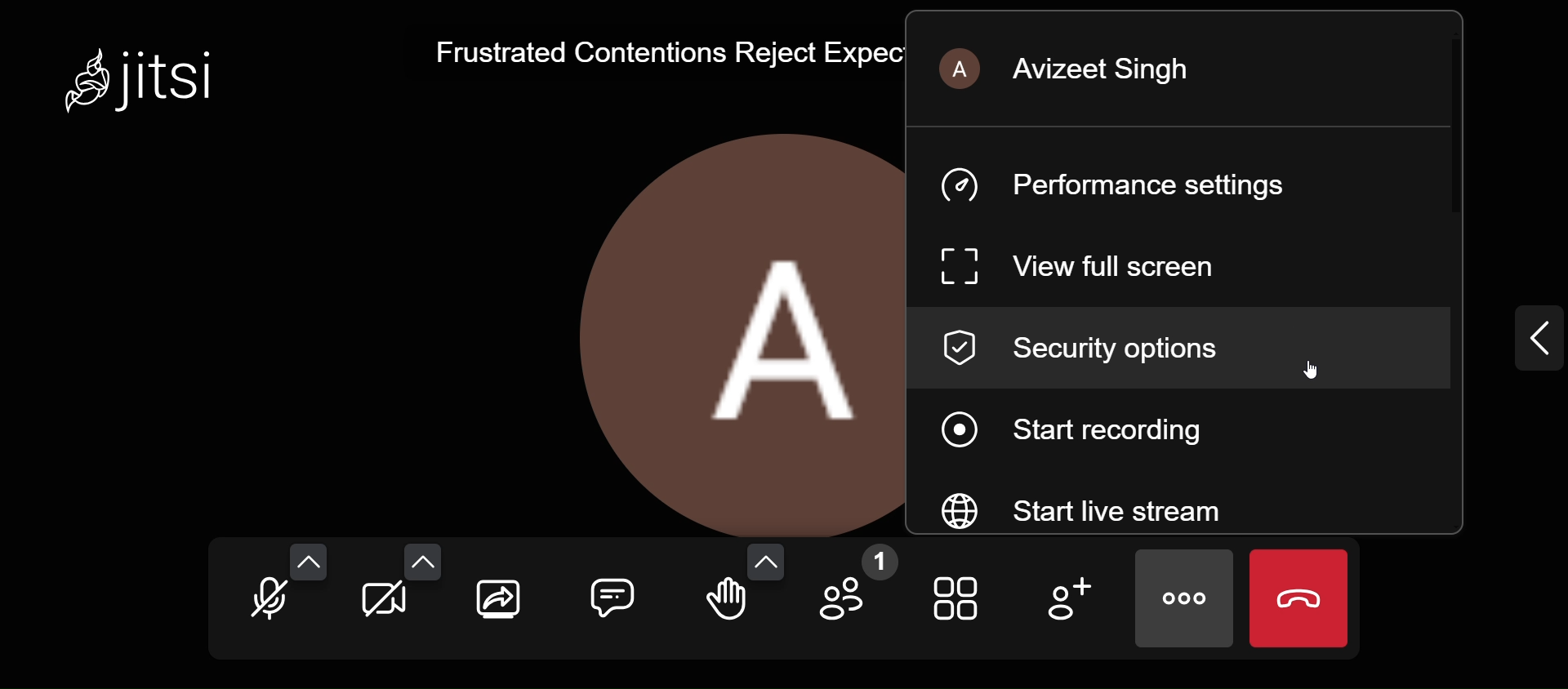  I want to click on comment box, so click(624, 594).